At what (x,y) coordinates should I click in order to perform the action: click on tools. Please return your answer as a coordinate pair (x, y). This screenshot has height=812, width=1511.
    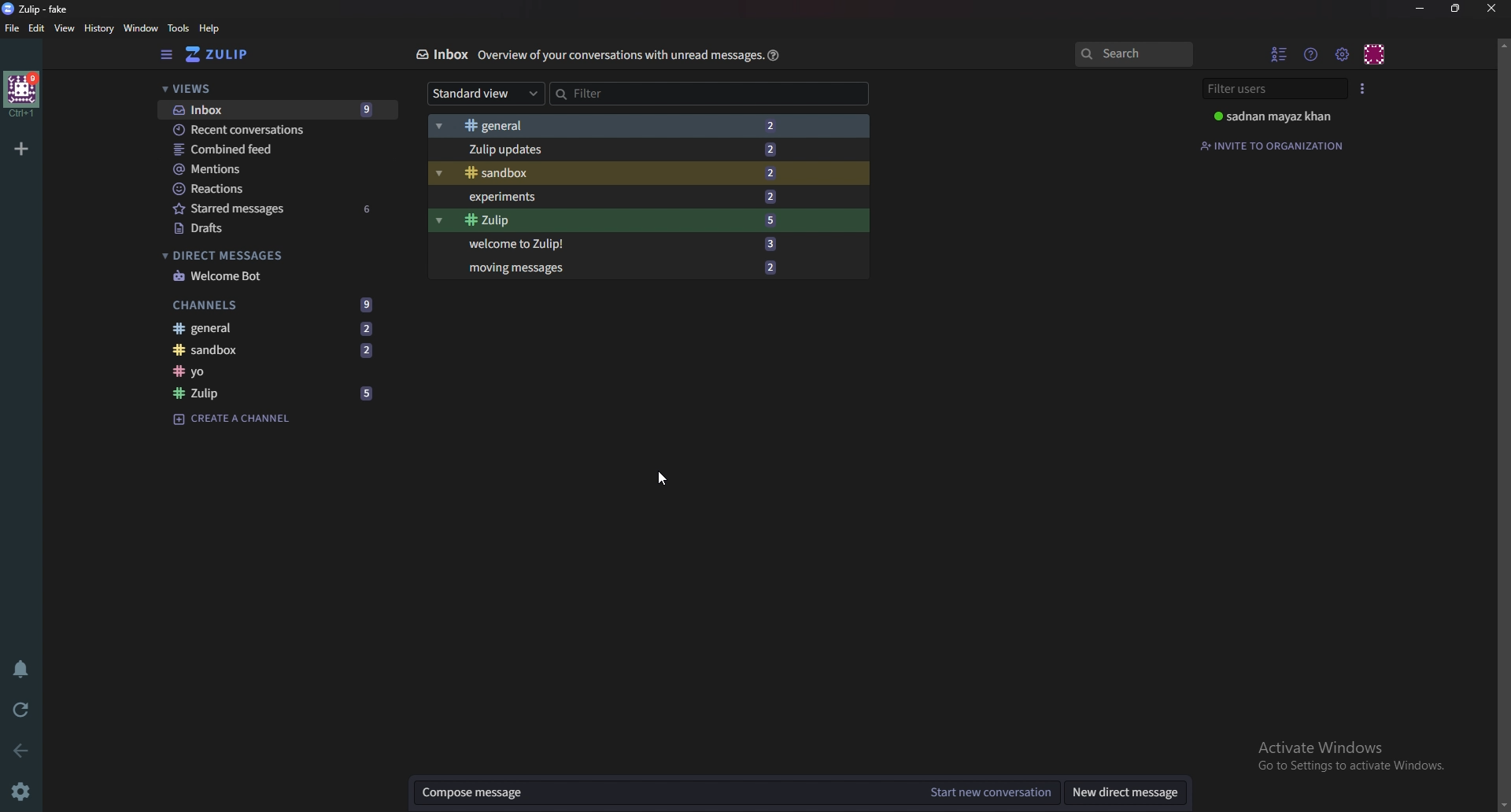
    Looking at the image, I should click on (179, 28).